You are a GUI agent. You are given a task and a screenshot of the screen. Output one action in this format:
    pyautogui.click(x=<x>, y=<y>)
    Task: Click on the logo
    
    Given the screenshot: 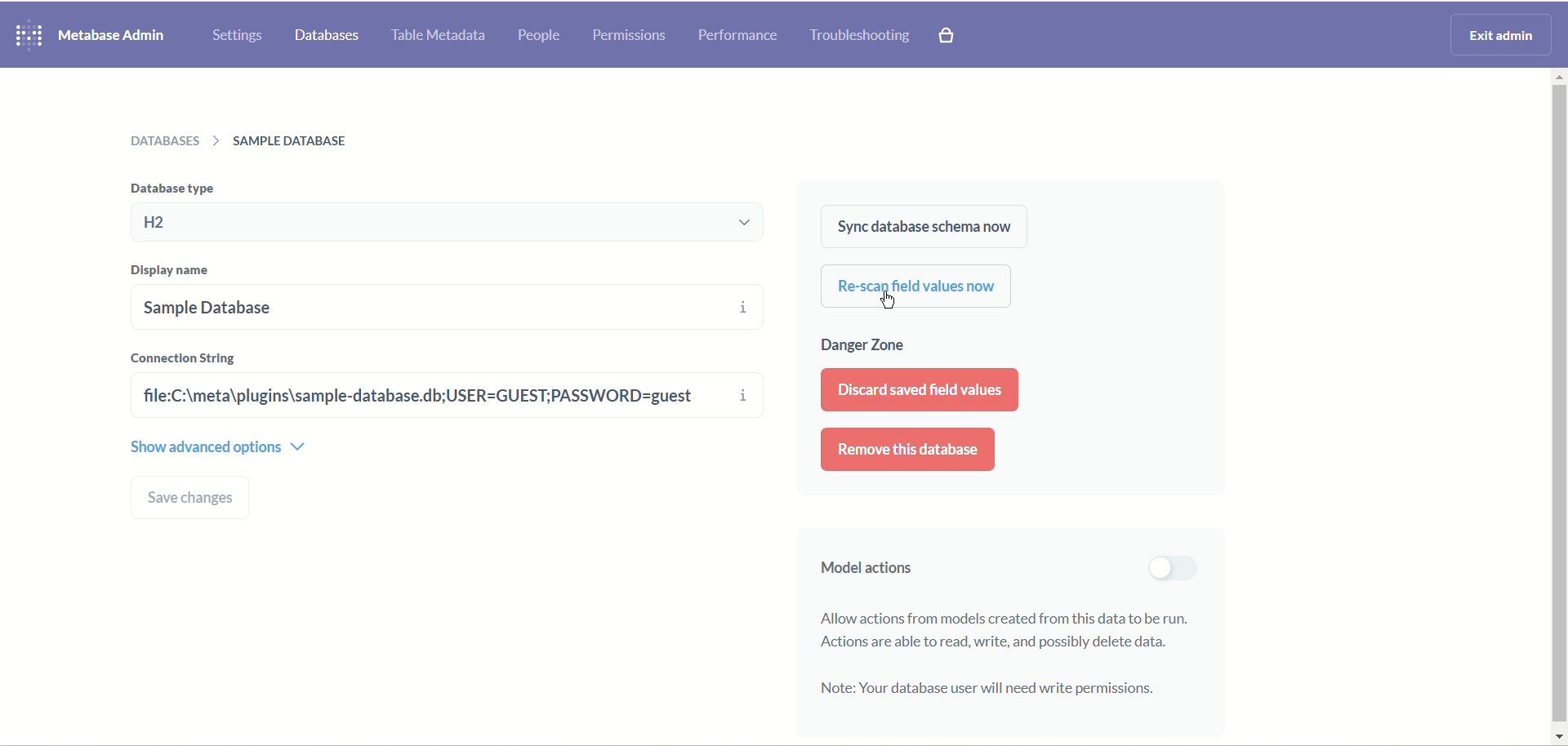 What is the action you would take?
    pyautogui.click(x=25, y=36)
    